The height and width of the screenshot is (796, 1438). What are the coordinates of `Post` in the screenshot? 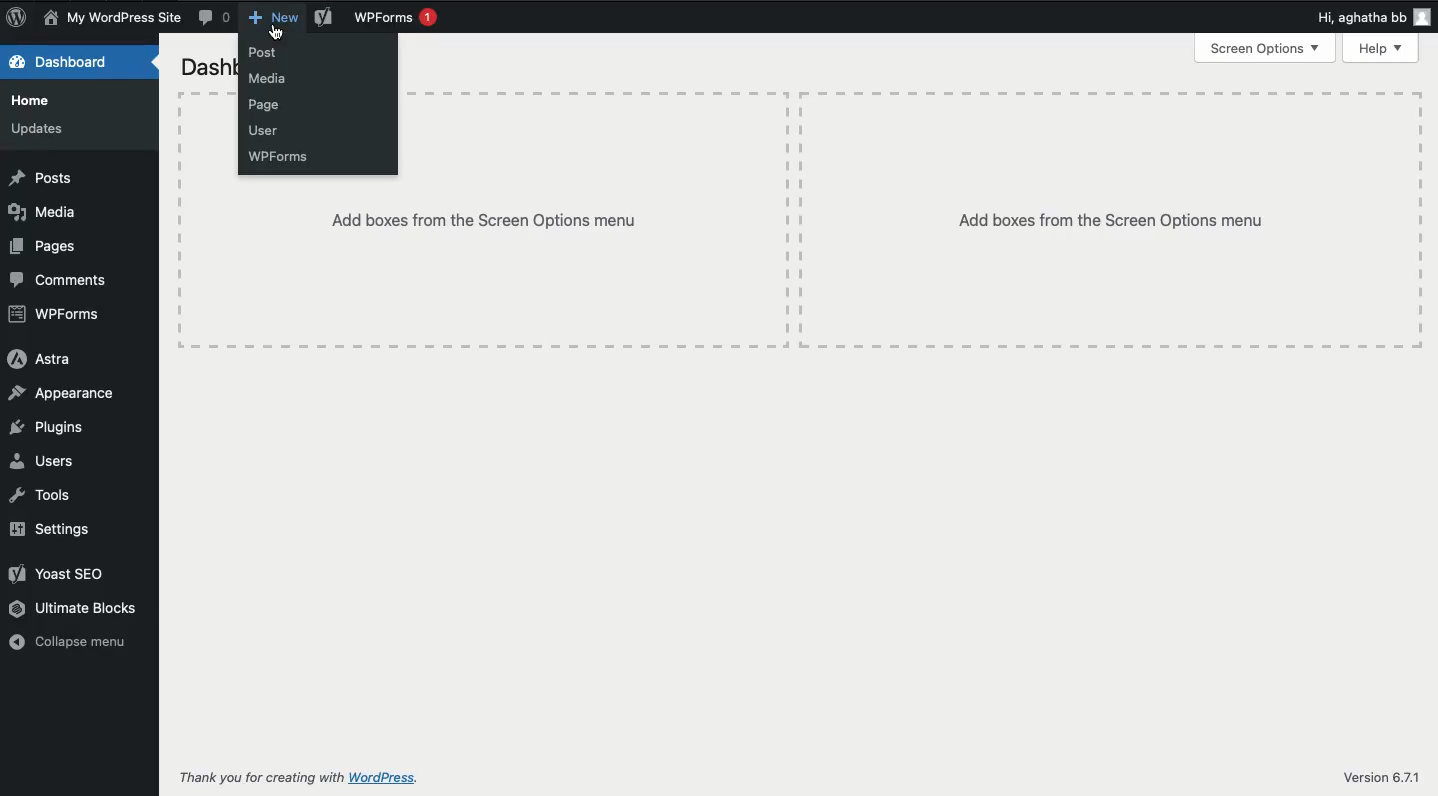 It's located at (268, 52).